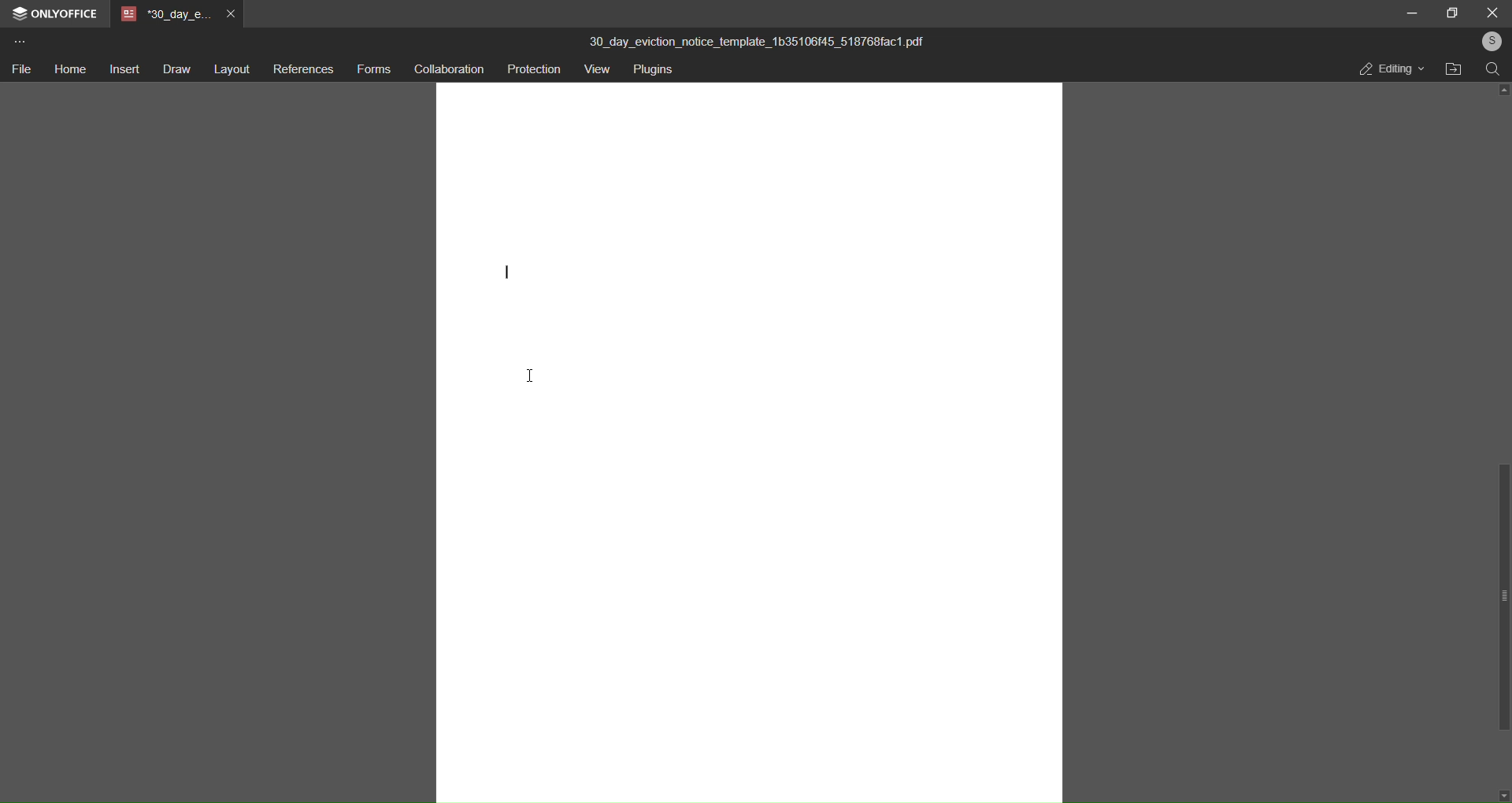 The width and height of the screenshot is (1512, 803). What do you see at coordinates (1490, 41) in the screenshot?
I see `user` at bounding box center [1490, 41].